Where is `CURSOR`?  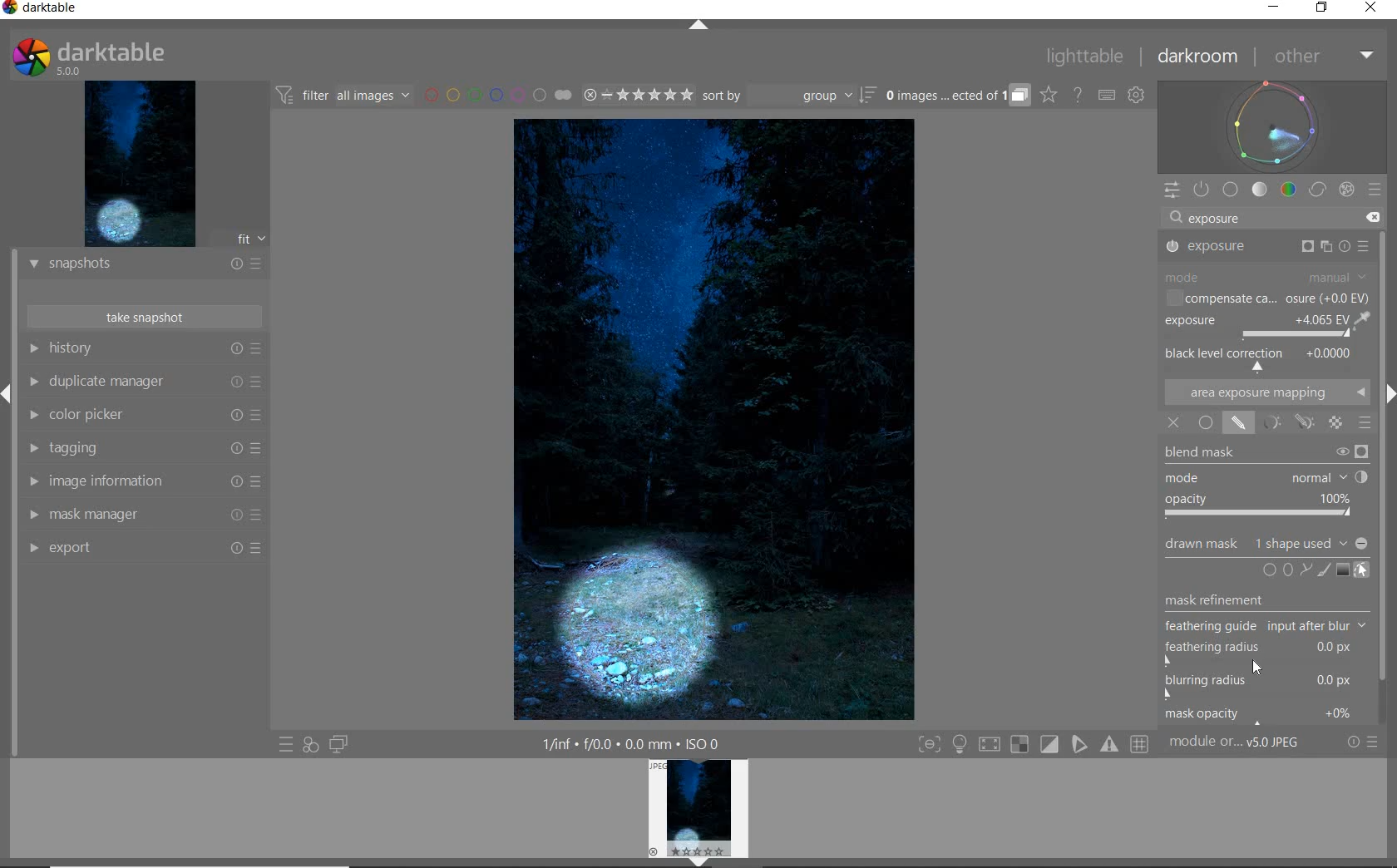
CURSOR is located at coordinates (1258, 668).